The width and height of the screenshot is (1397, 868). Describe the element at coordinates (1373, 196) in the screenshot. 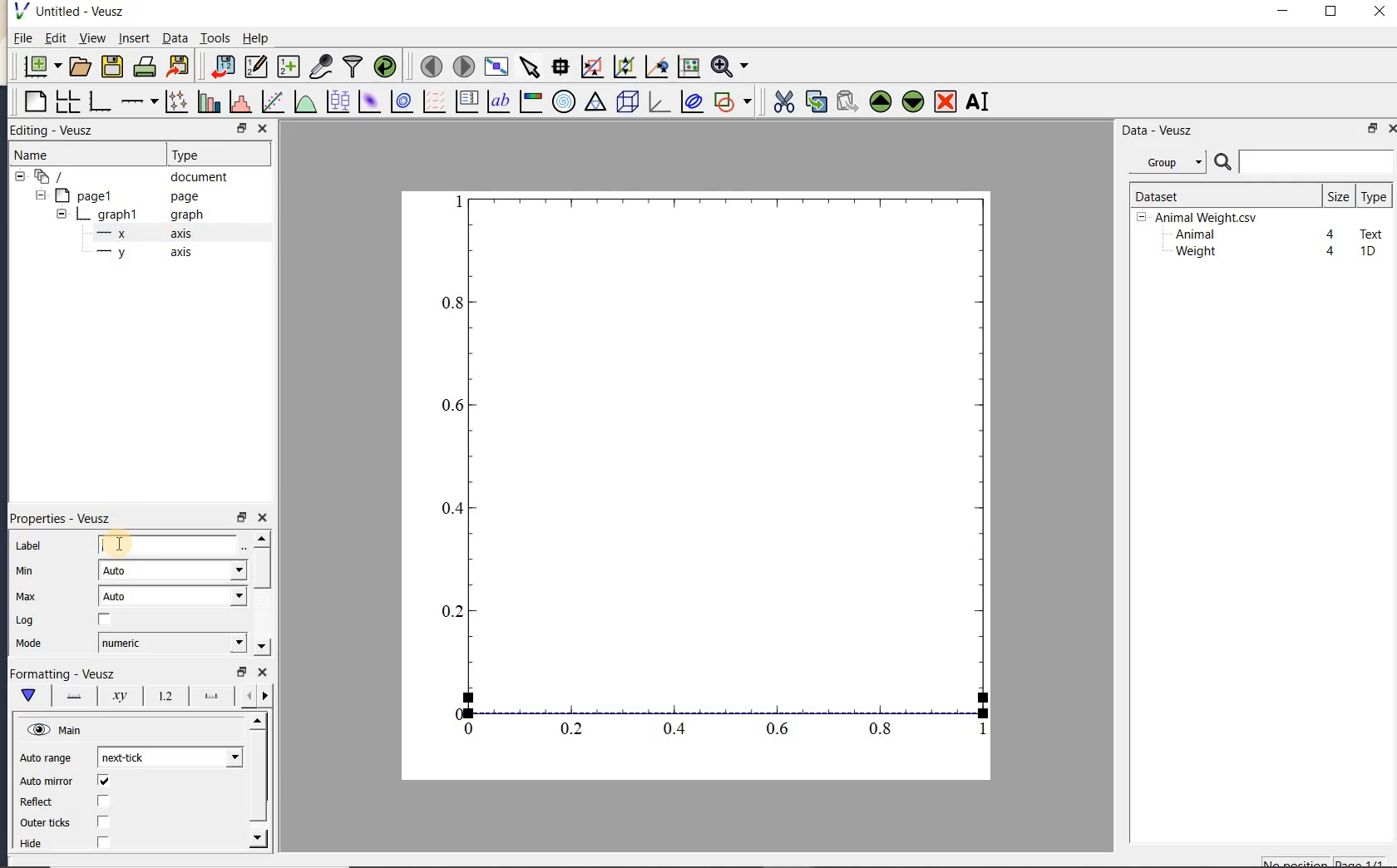

I see `type` at that location.